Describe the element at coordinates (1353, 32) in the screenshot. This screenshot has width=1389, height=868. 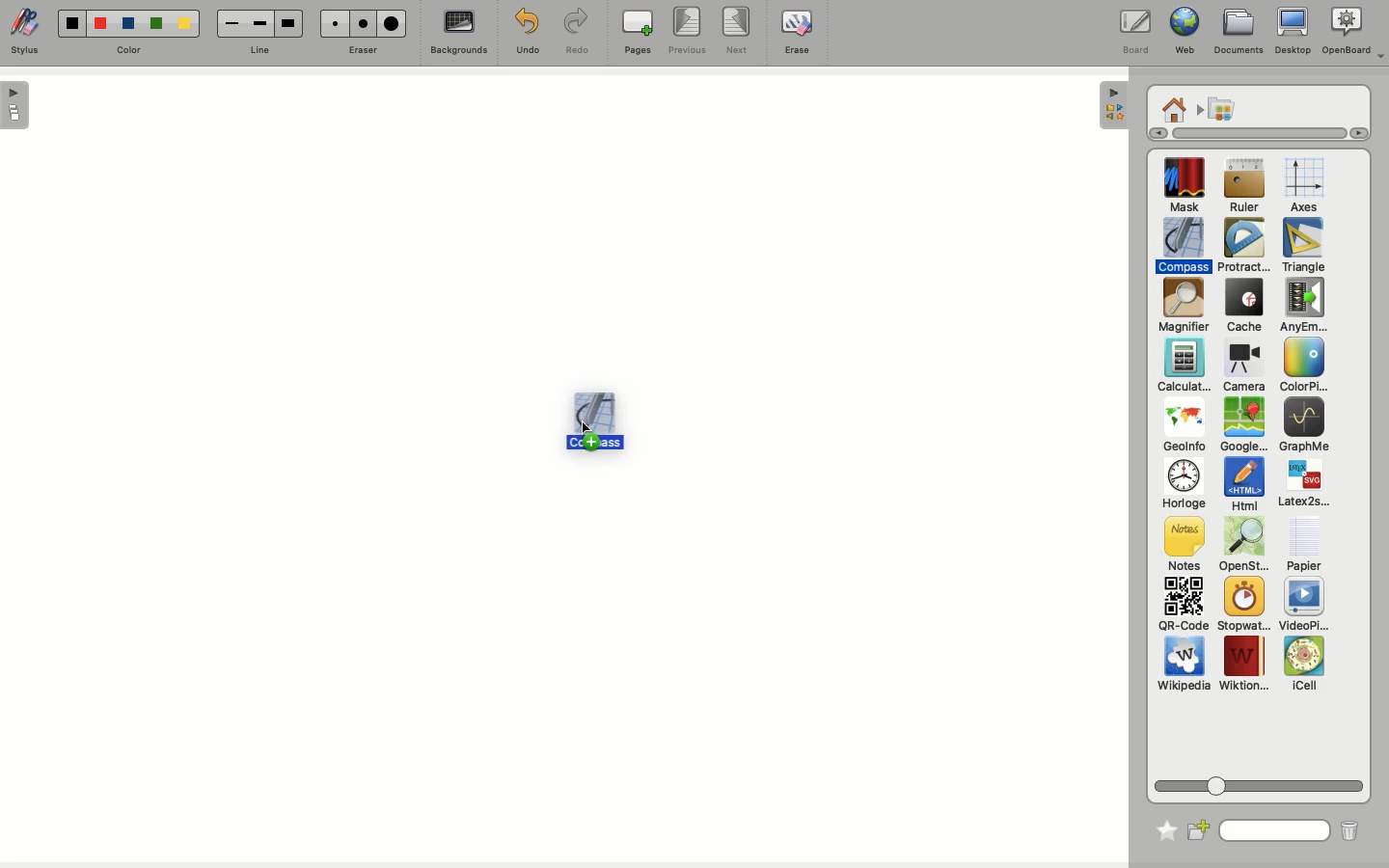
I see `OpenBoard` at that location.